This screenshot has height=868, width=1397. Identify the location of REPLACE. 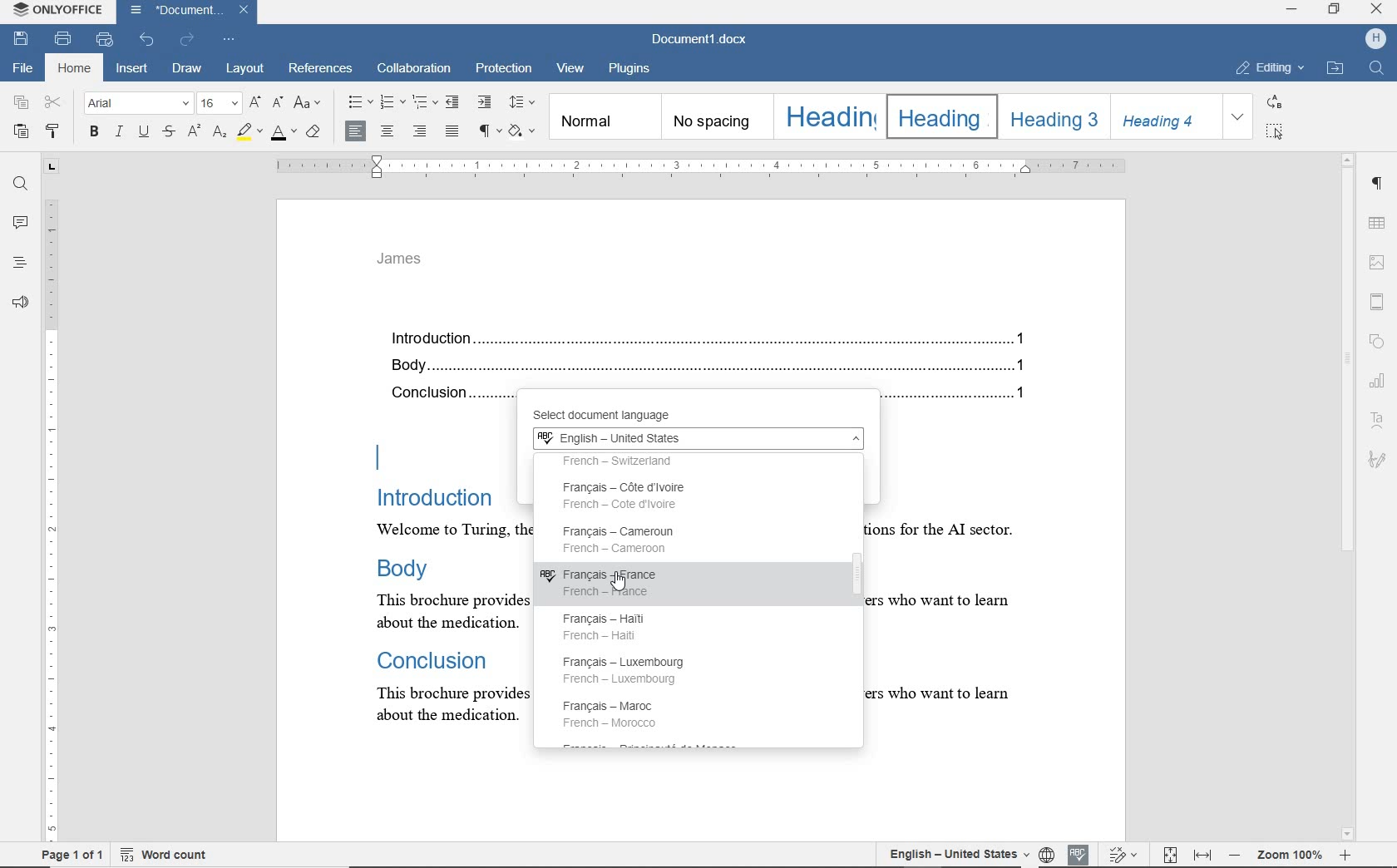
(1275, 101).